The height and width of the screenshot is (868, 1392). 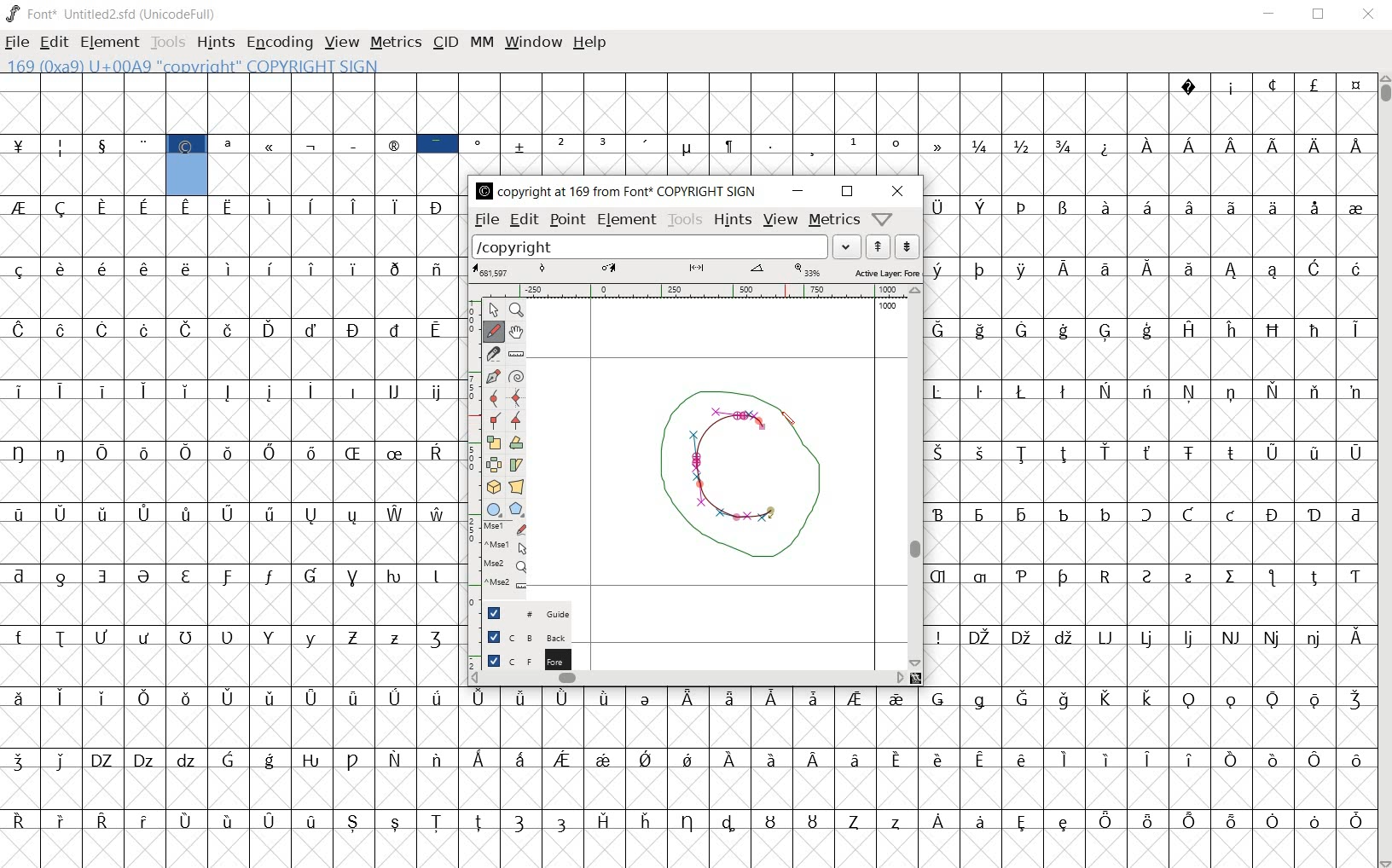 I want to click on cut splines in two, so click(x=492, y=353).